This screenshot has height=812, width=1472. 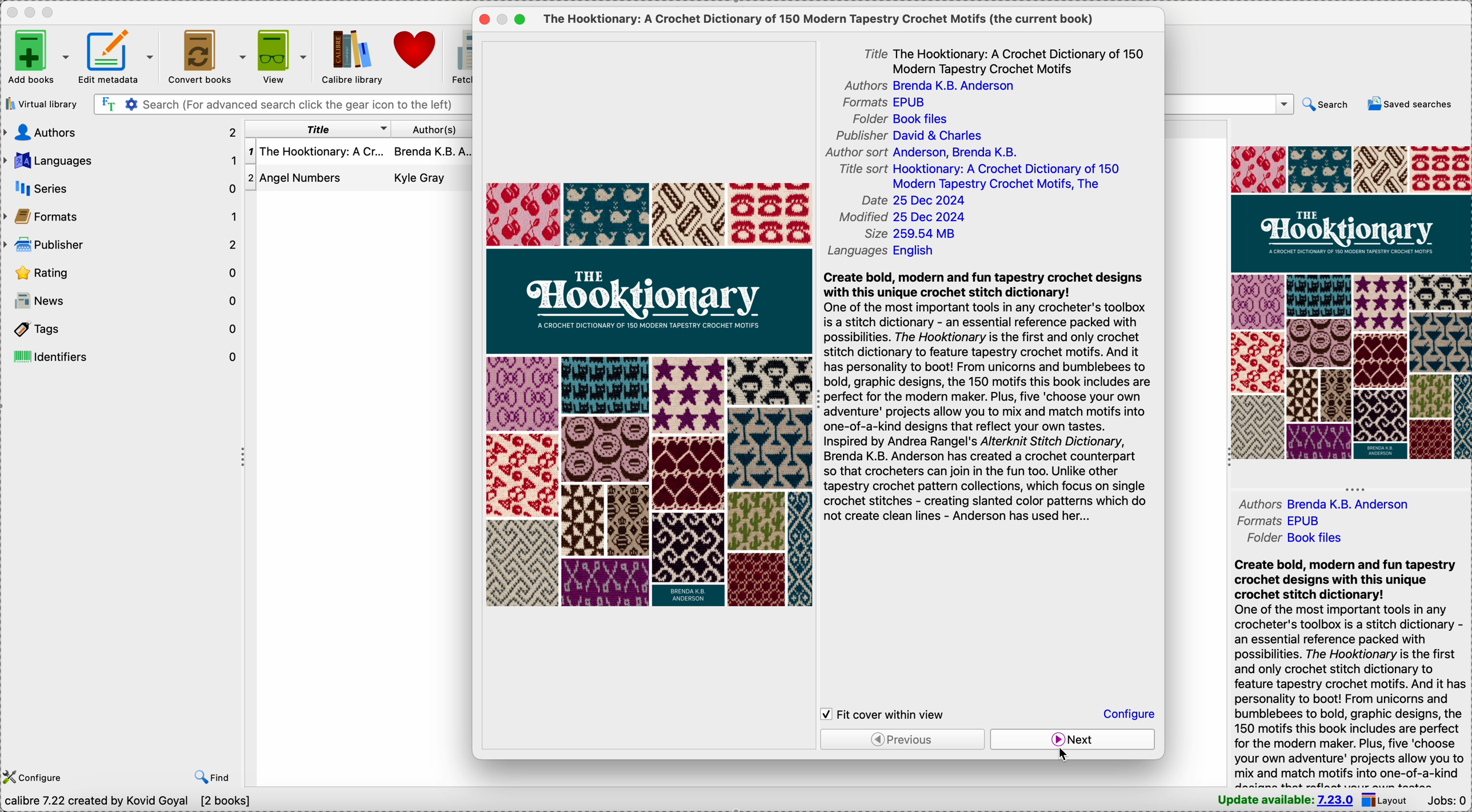 I want to click on add books, so click(x=38, y=56).